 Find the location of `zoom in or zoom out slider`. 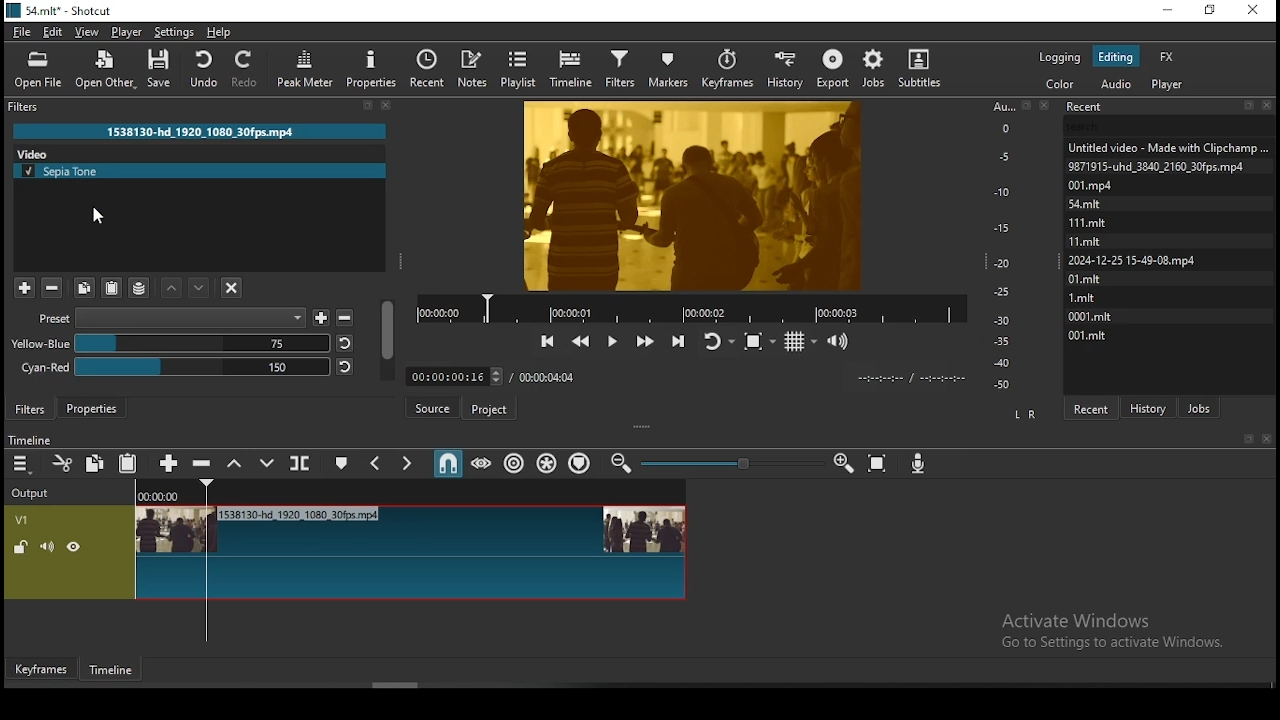

zoom in or zoom out slider is located at coordinates (732, 463).